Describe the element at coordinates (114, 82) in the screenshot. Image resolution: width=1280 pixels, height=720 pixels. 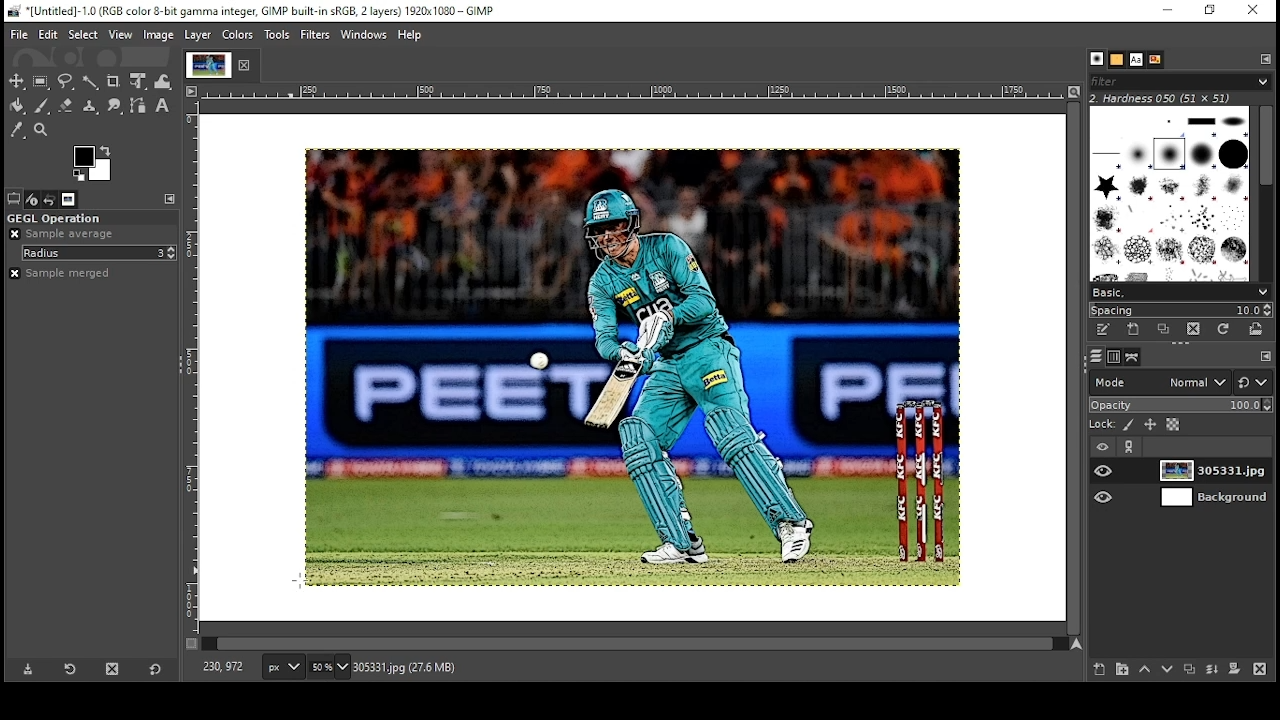
I see `crop tool` at that location.